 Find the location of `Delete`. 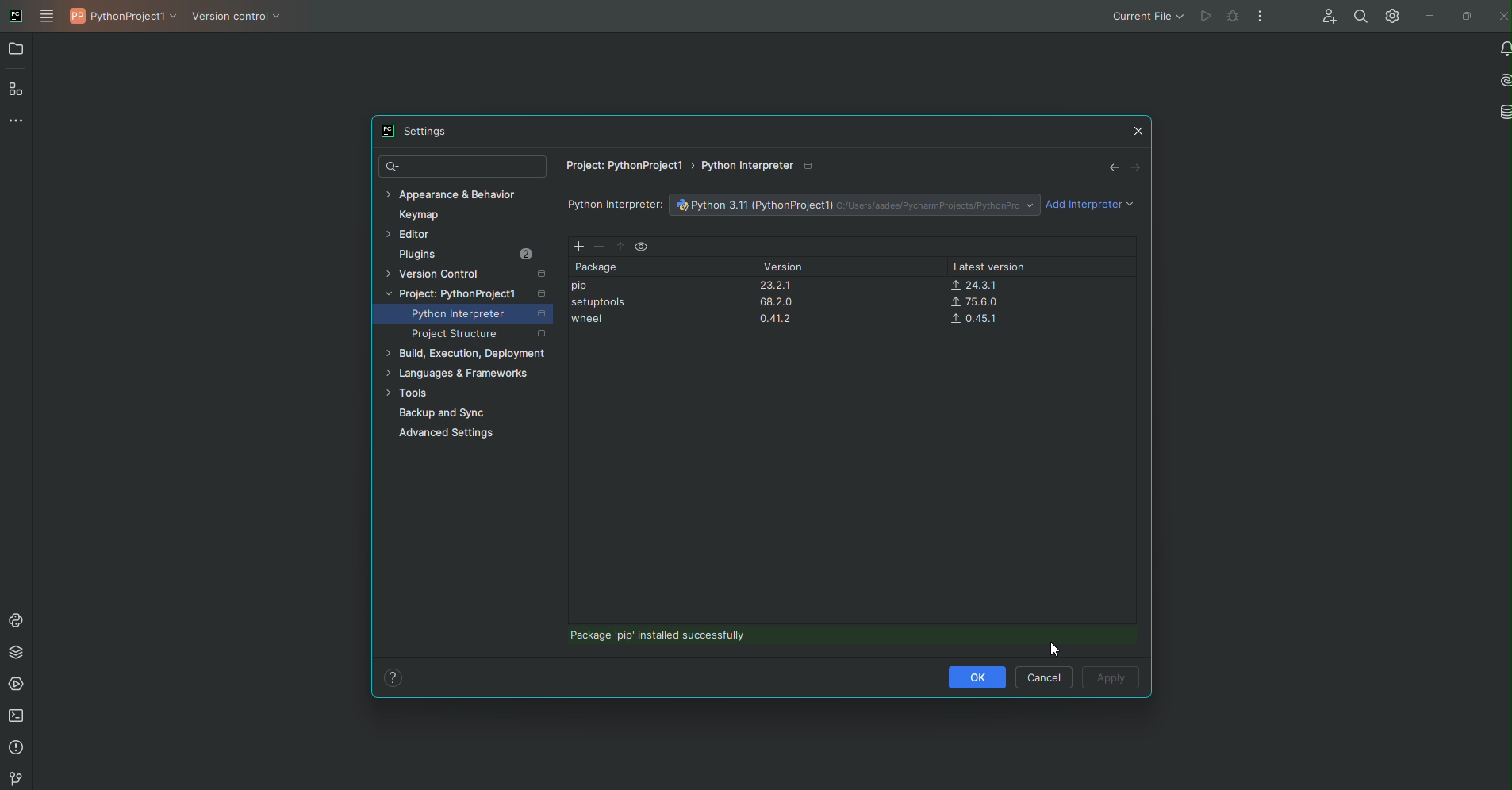

Delete is located at coordinates (598, 247).